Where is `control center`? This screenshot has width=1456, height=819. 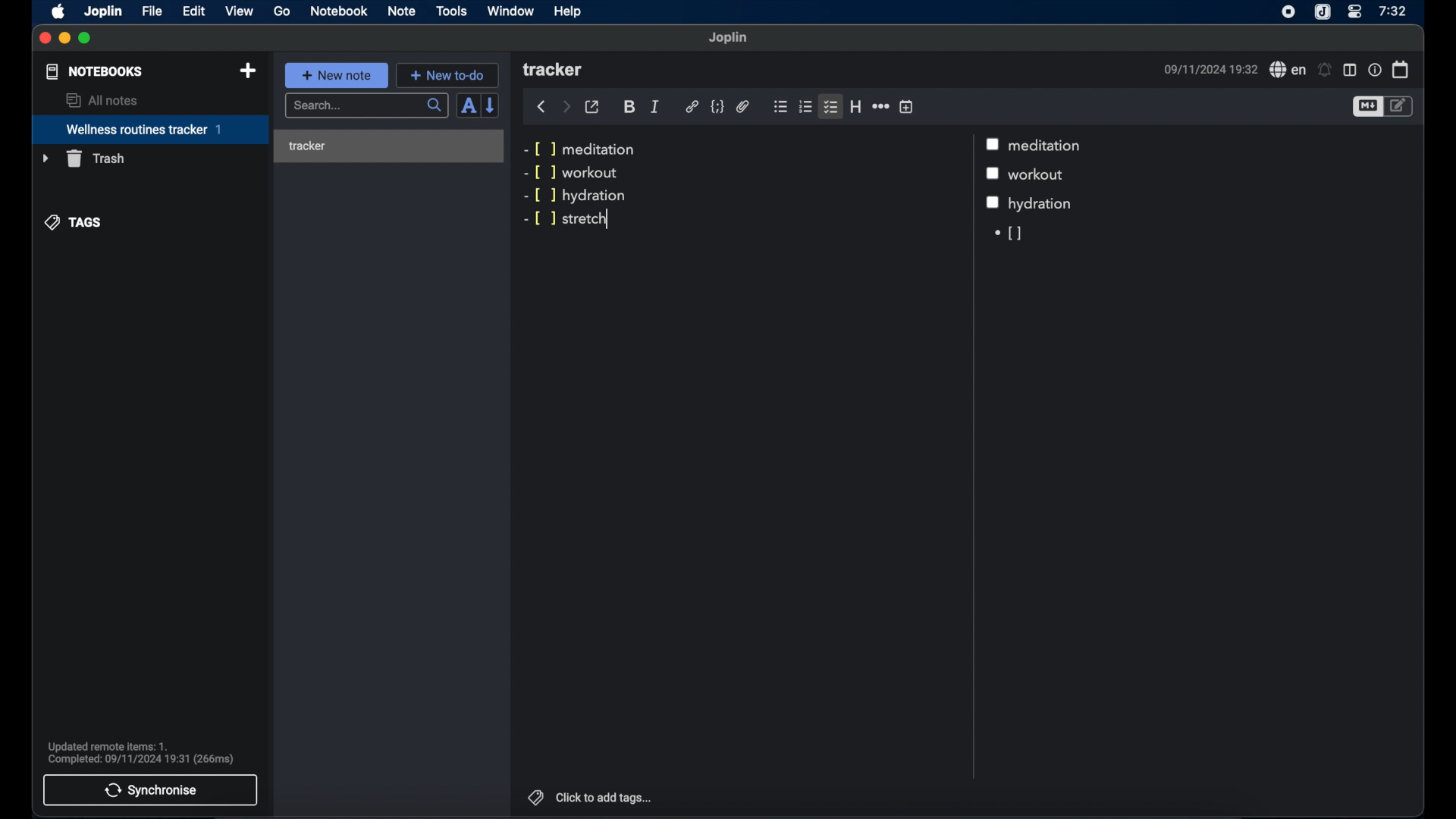
control center is located at coordinates (1355, 12).